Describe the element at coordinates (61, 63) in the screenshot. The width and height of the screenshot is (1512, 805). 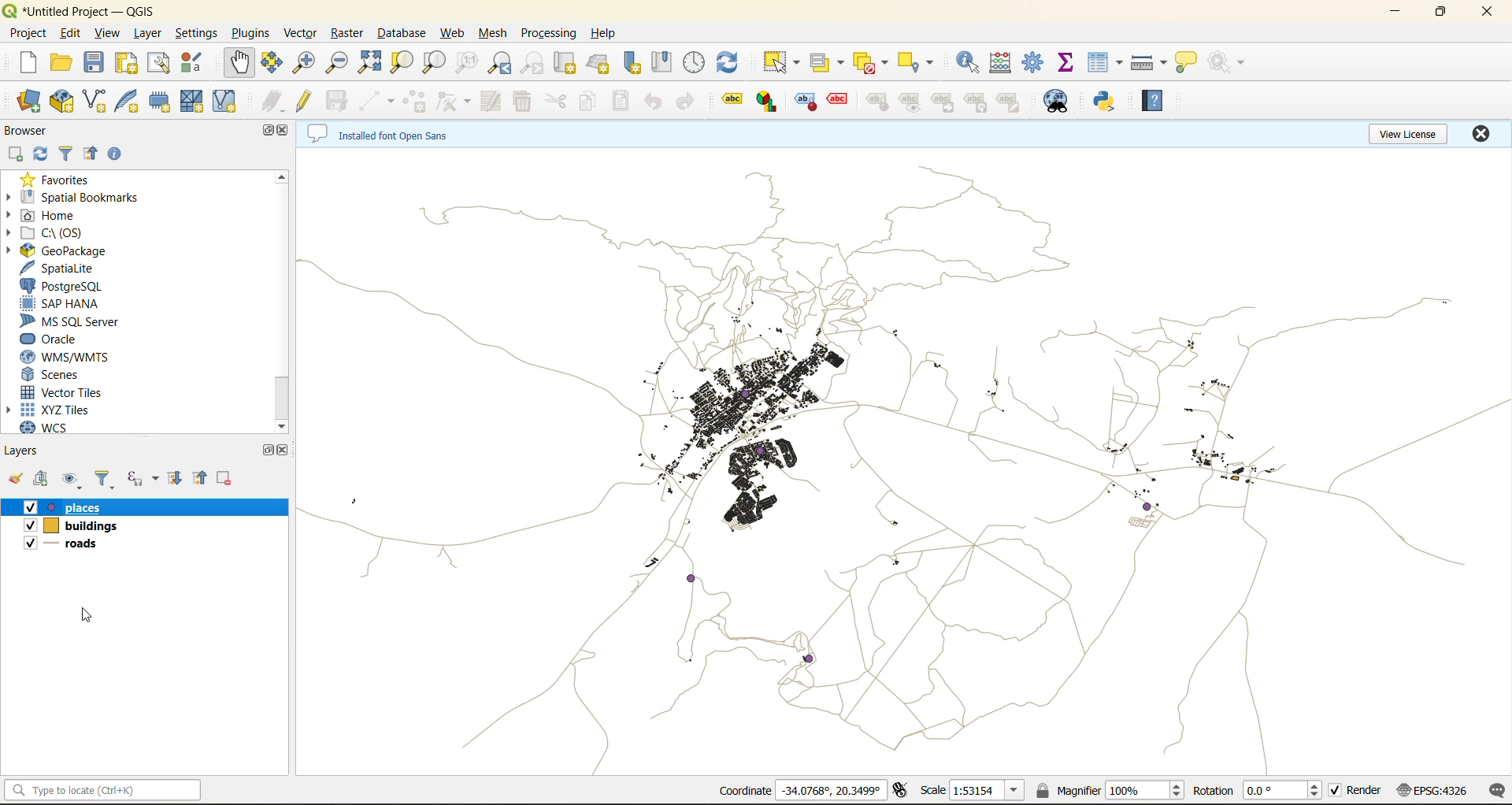
I see `open` at that location.